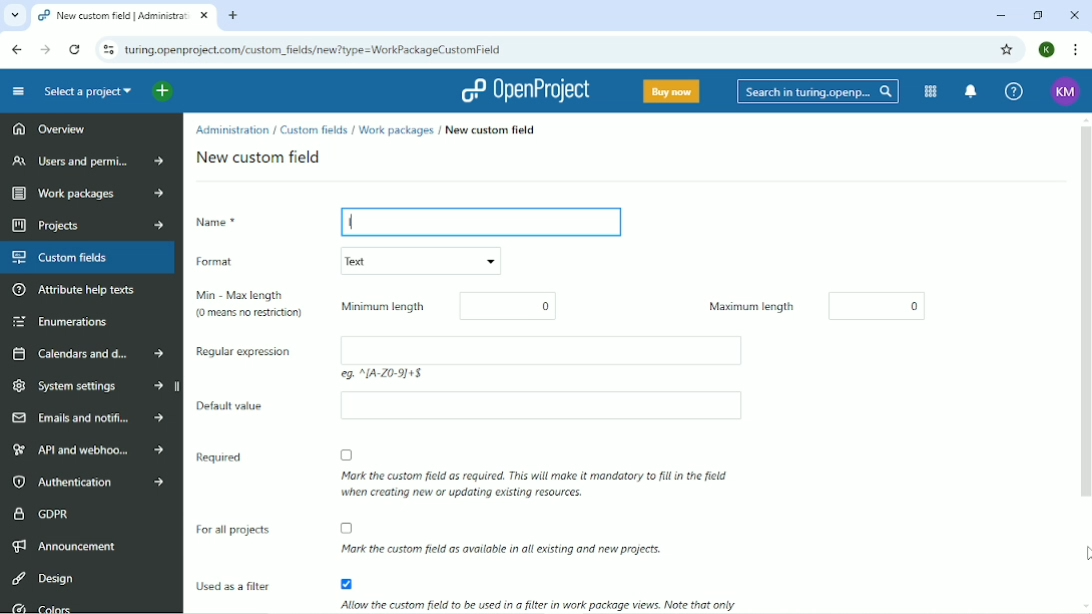 The width and height of the screenshot is (1092, 614). I want to click on Minimum length, so click(377, 308).